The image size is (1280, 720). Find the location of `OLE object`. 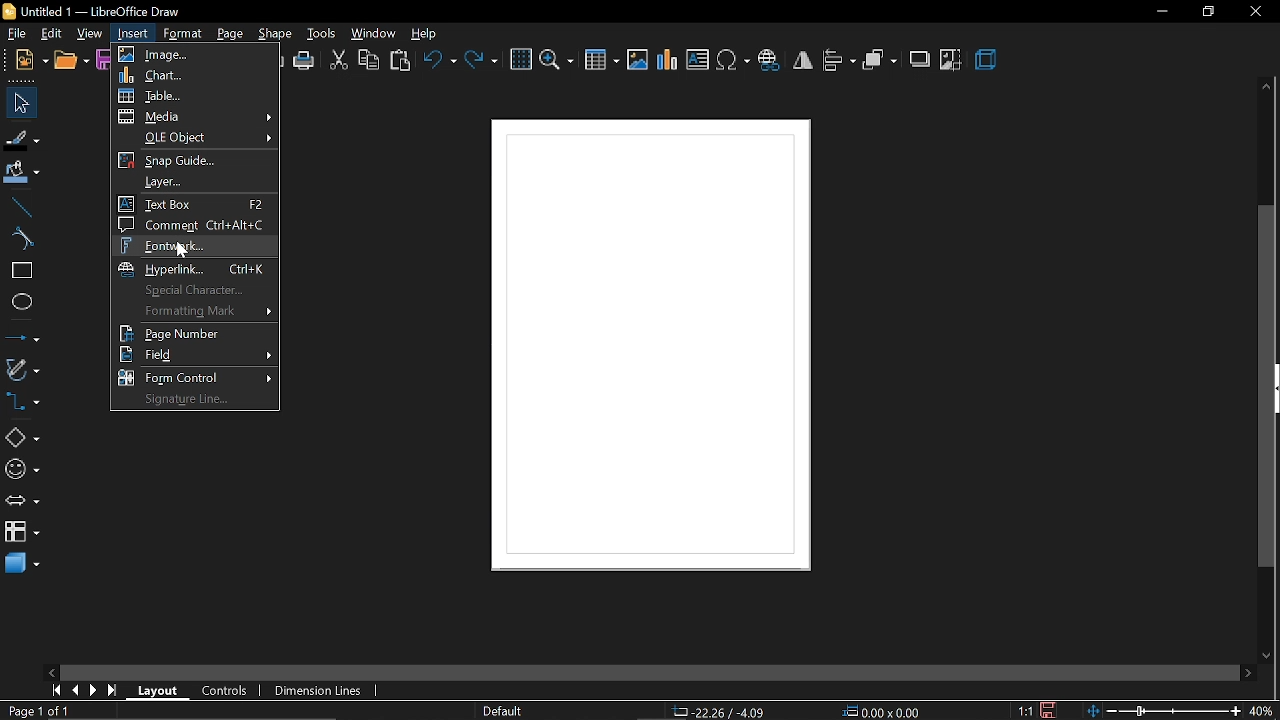

OLE object is located at coordinates (195, 138).